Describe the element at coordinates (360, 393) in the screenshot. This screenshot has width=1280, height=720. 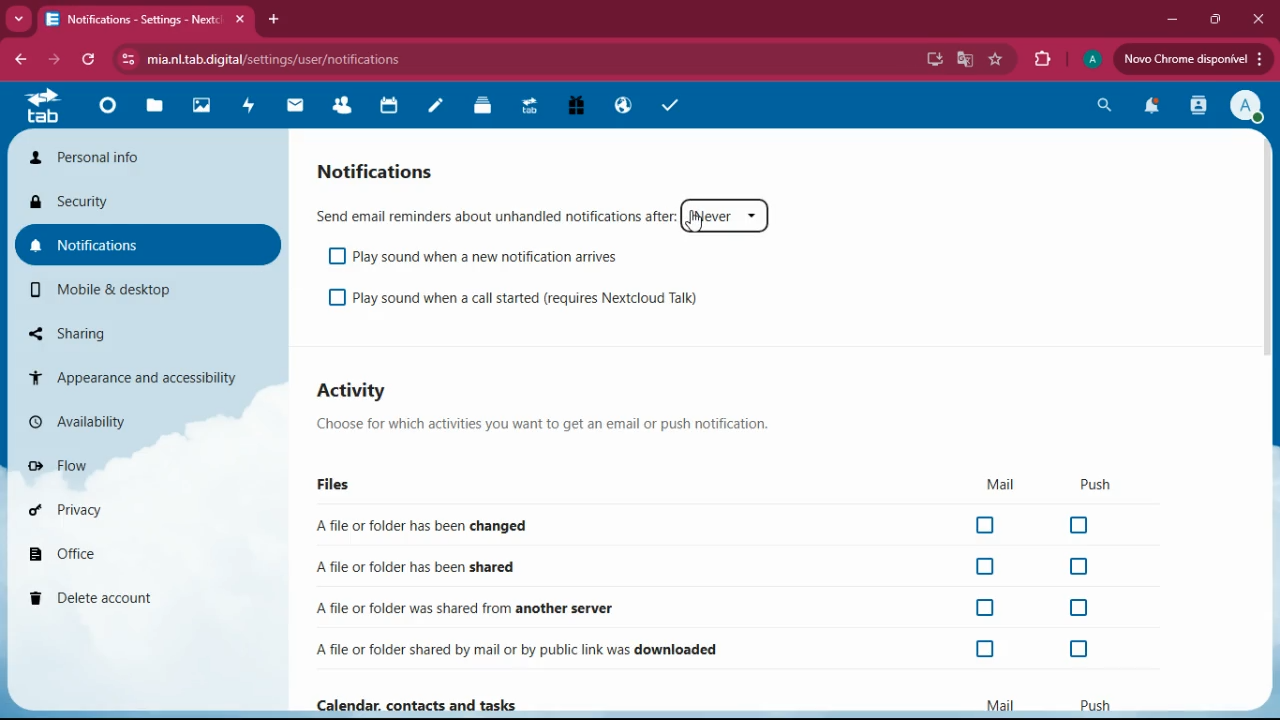
I see `activity` at that location.